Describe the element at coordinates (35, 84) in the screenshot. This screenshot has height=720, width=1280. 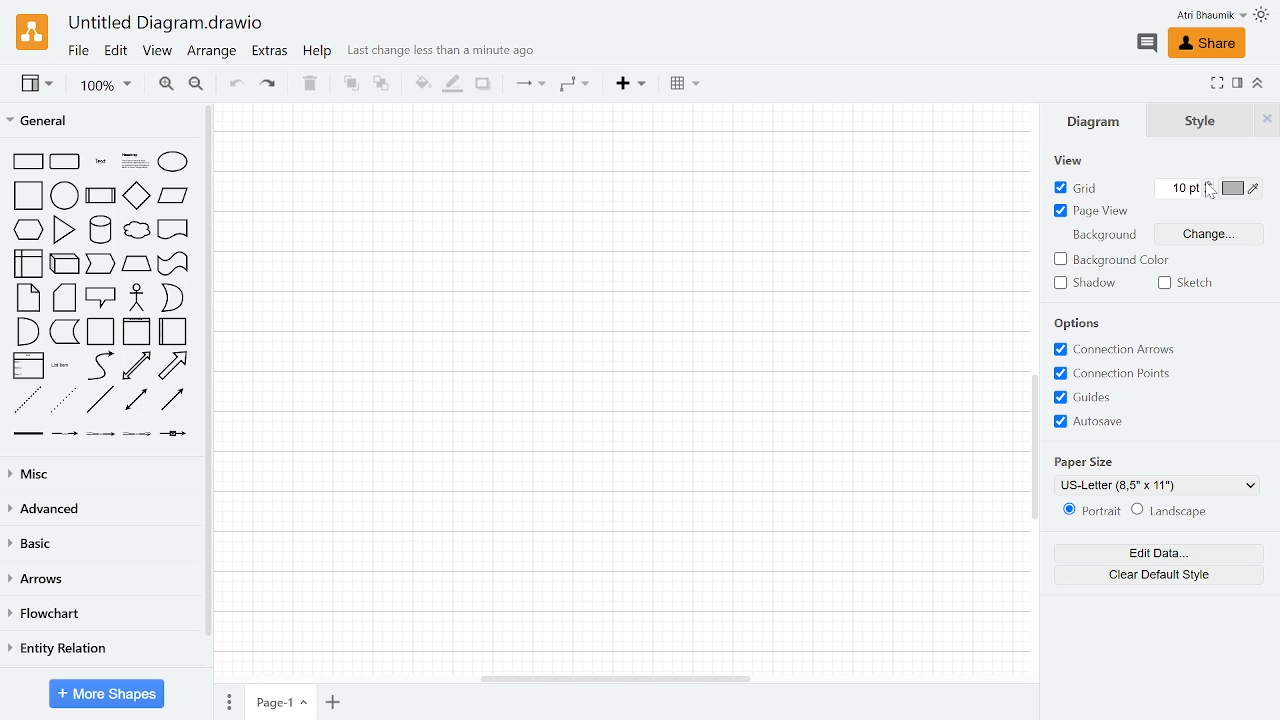
I see `View` at that location.